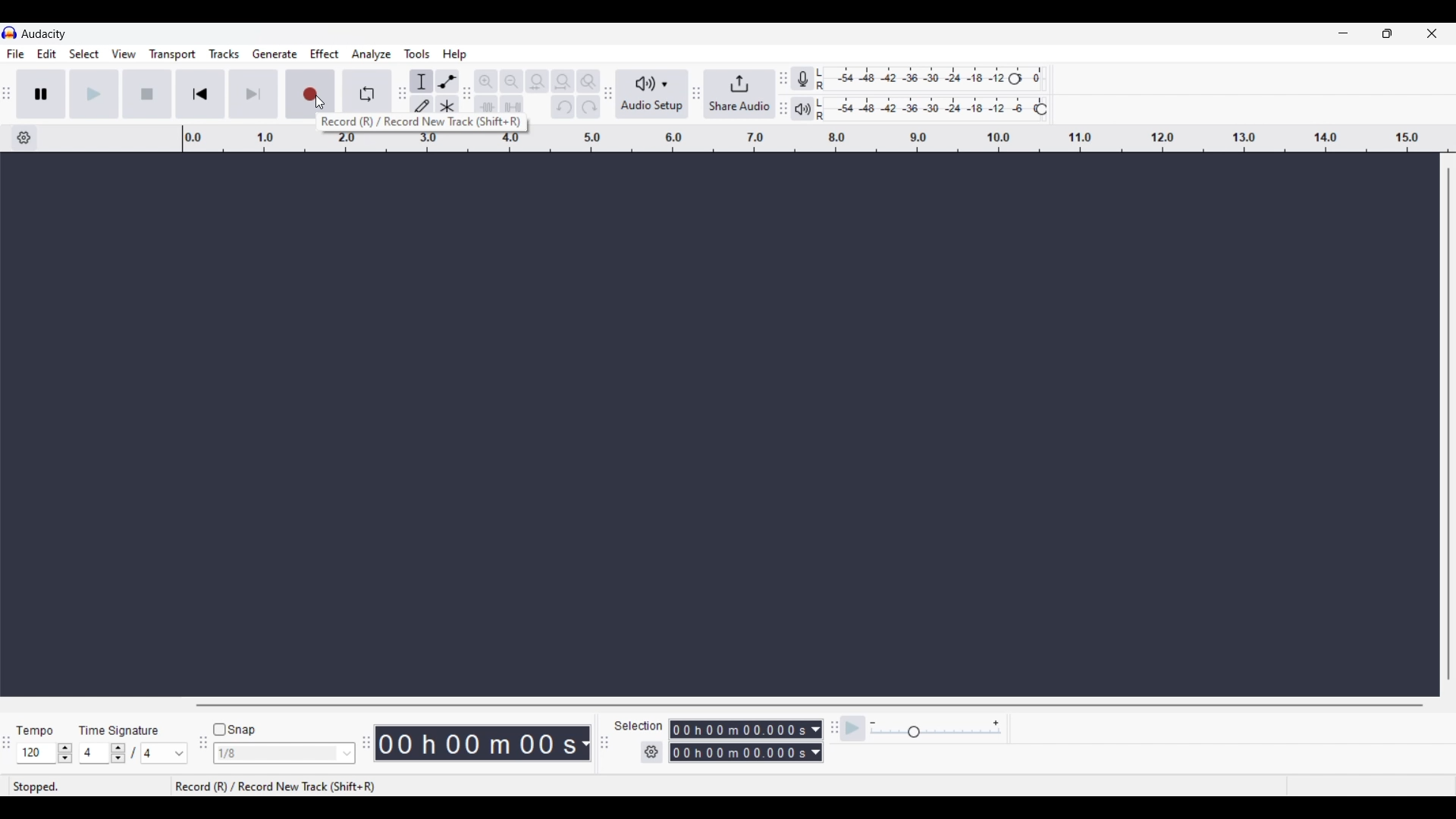 The width and height of the screenshot is (1456, 819). I want to click on toolbar, so click(399, 95).